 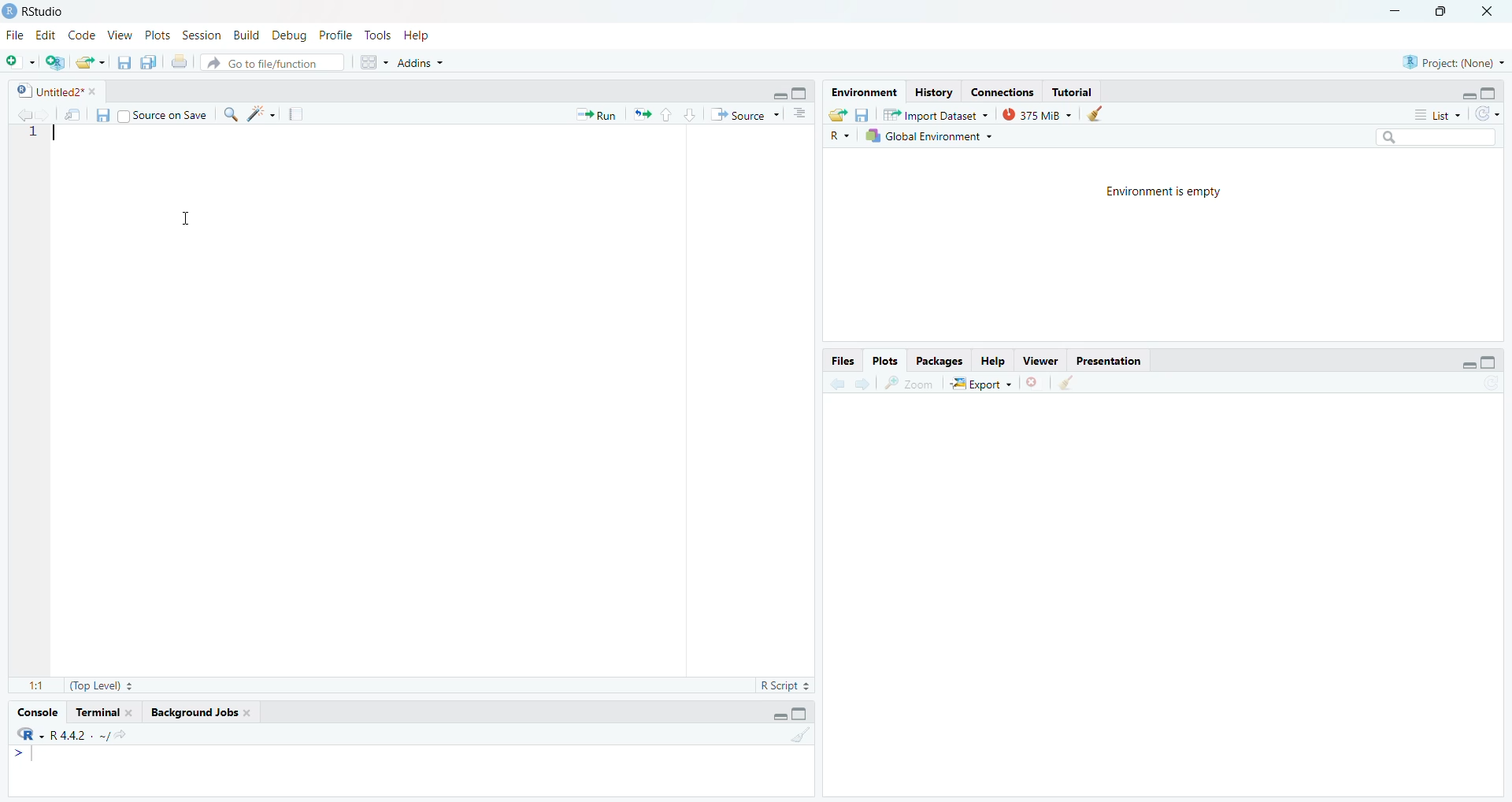 What do you see at coordinates (749, 116) in the screenshot?
I see ` Source ~` at bounding box center [749, 116].